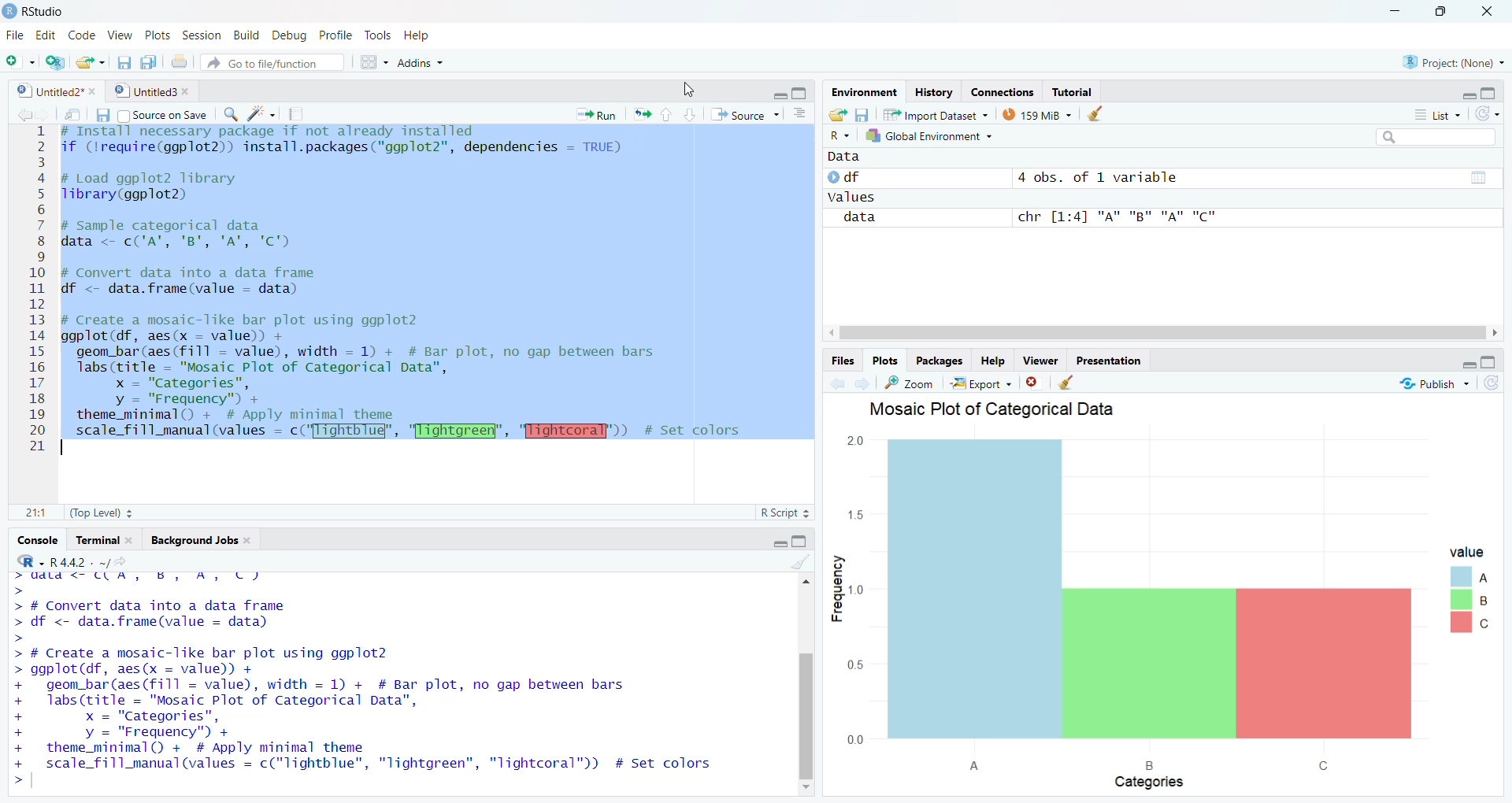 Image resolution: width=1512 pixels, height=803 pixels. Describe the element at coordinates (982, 383) in the screenshot. I see `Export` at that location.